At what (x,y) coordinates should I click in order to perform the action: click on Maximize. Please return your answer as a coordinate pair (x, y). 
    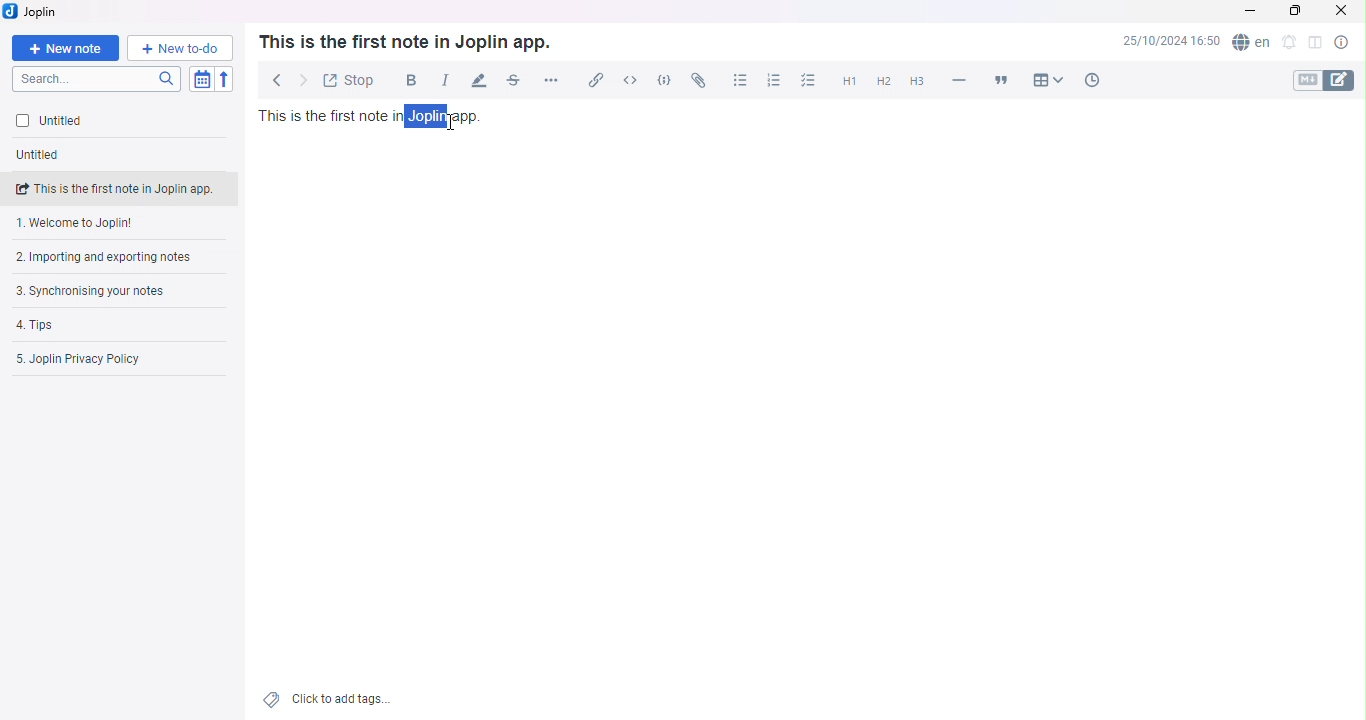
    Looking at the image, I should click on (1294, 14).